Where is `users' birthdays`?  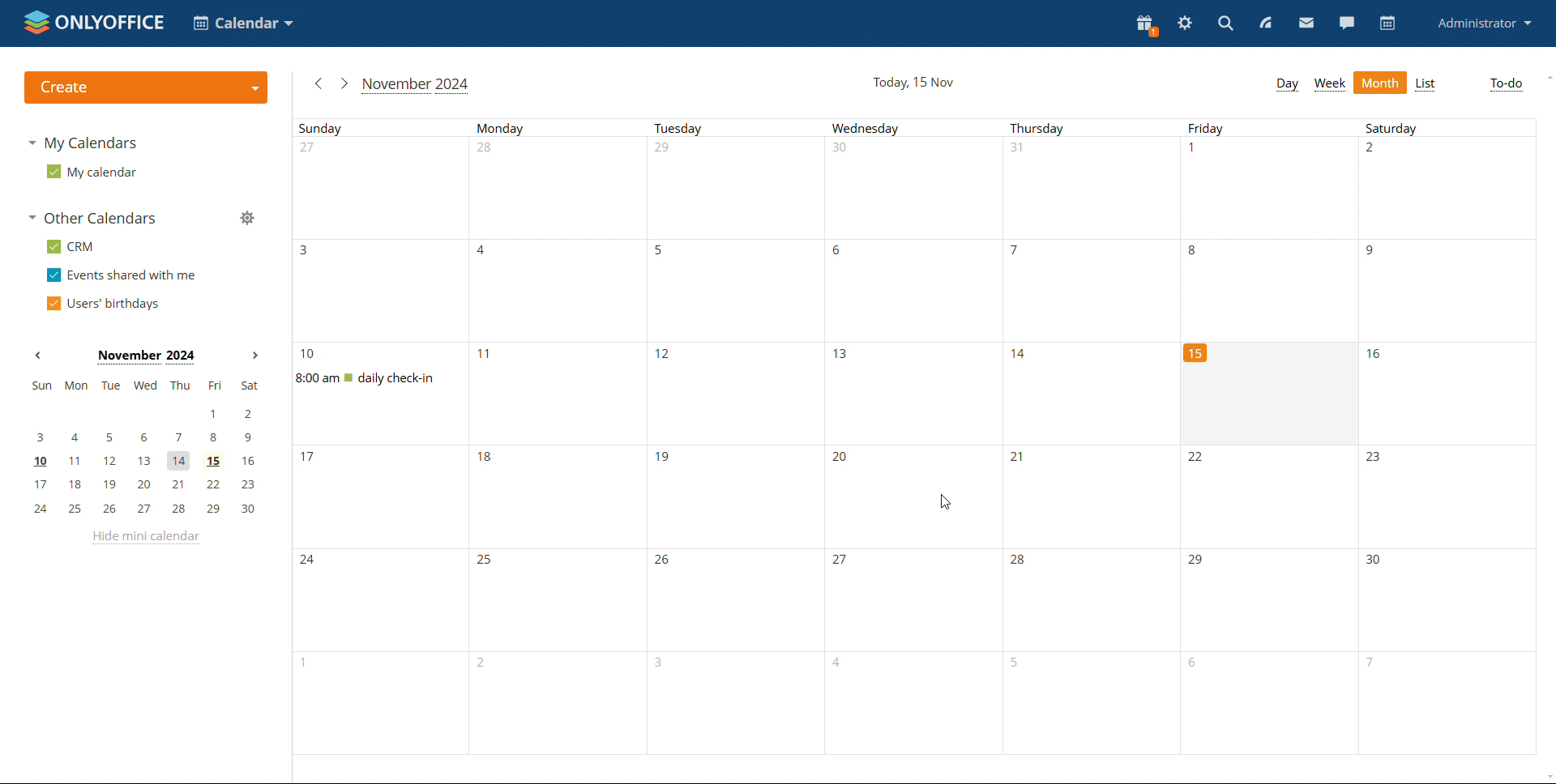
users' birthdays is located at coordinates (101, 304).